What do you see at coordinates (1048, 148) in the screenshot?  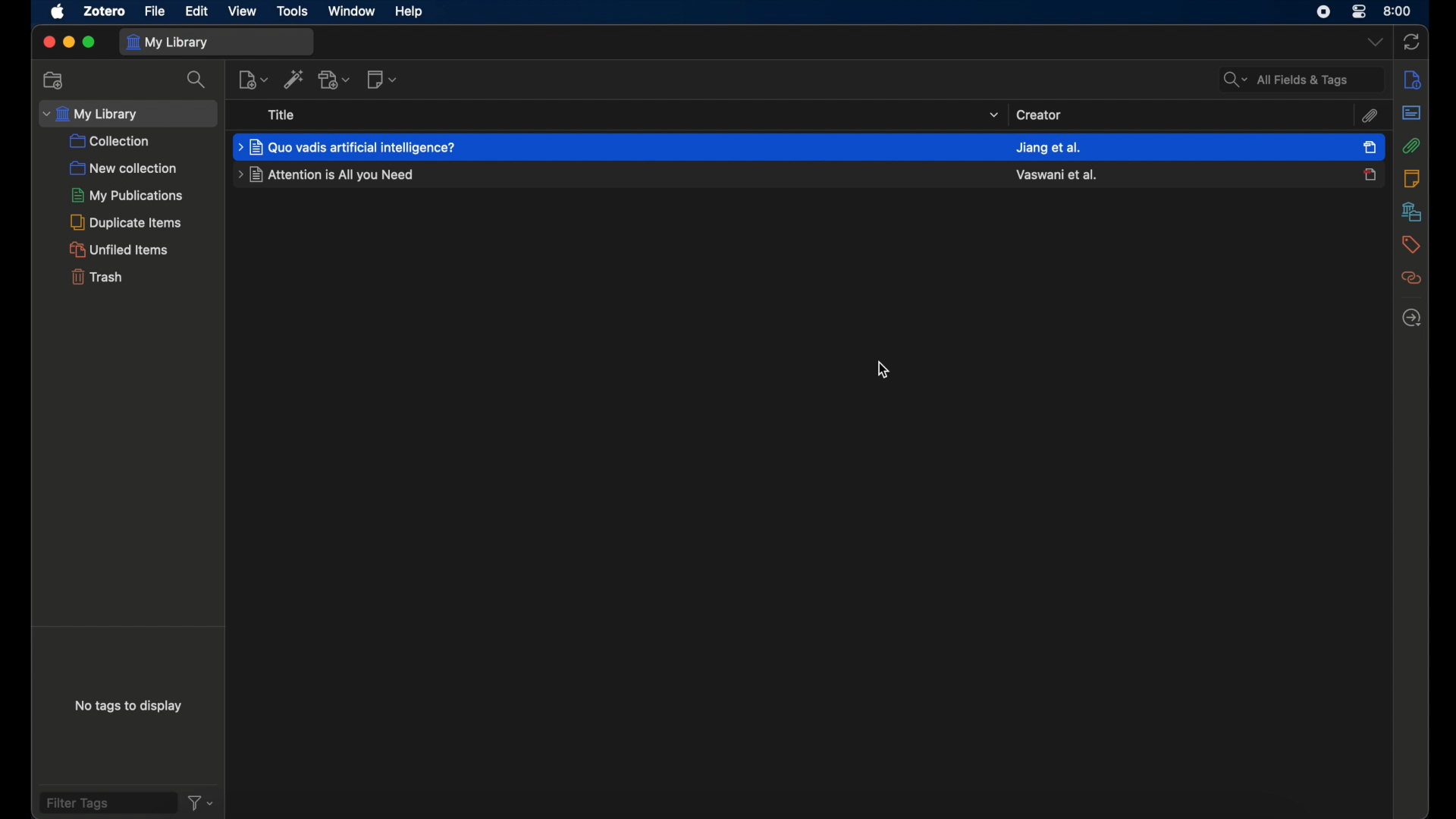 I see `creator name` at bounding box center [1048, 148].